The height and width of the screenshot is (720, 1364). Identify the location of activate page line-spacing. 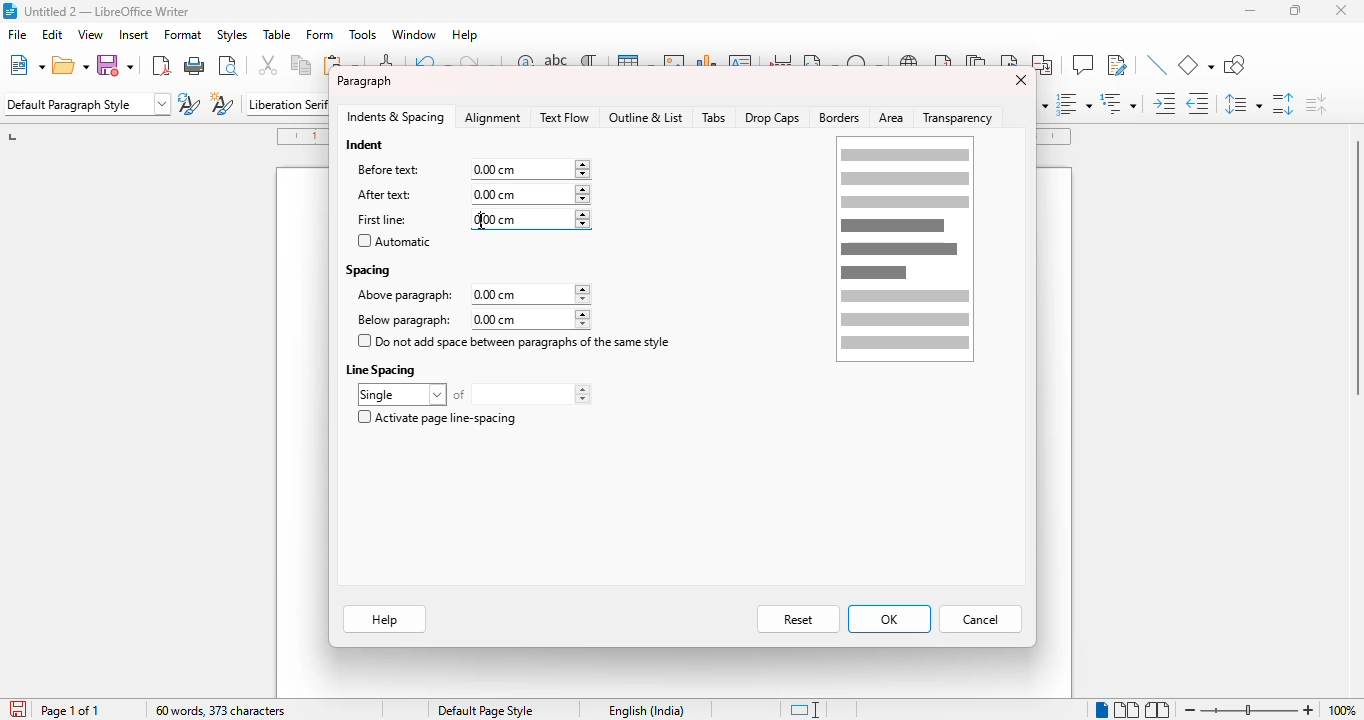
(436, 417).